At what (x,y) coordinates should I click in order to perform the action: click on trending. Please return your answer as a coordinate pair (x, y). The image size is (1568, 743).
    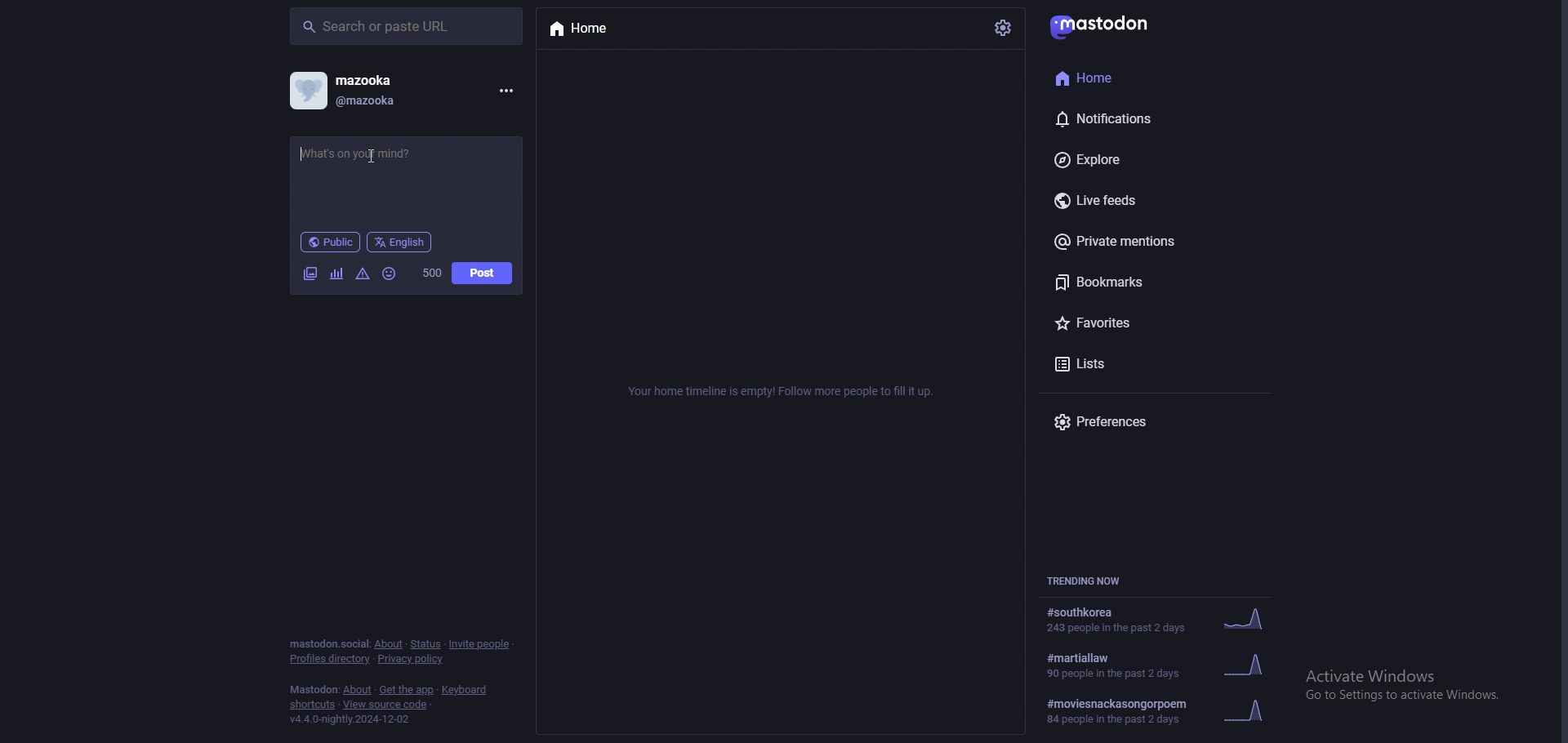
    Looking at the image, I should click on (1164, 621).